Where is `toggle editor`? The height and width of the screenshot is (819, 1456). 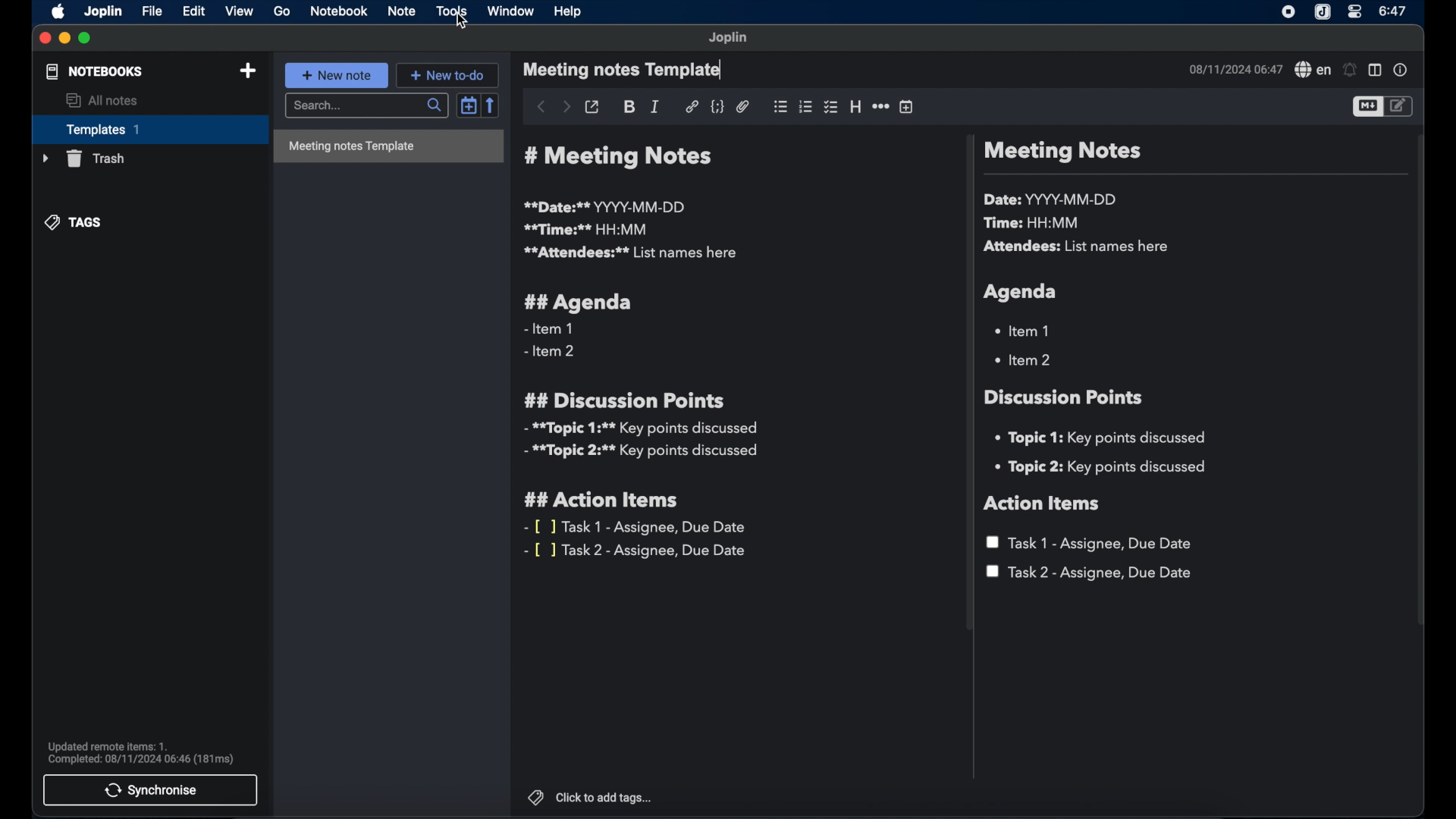
toggle editor is located at coordinates (1365, 108).